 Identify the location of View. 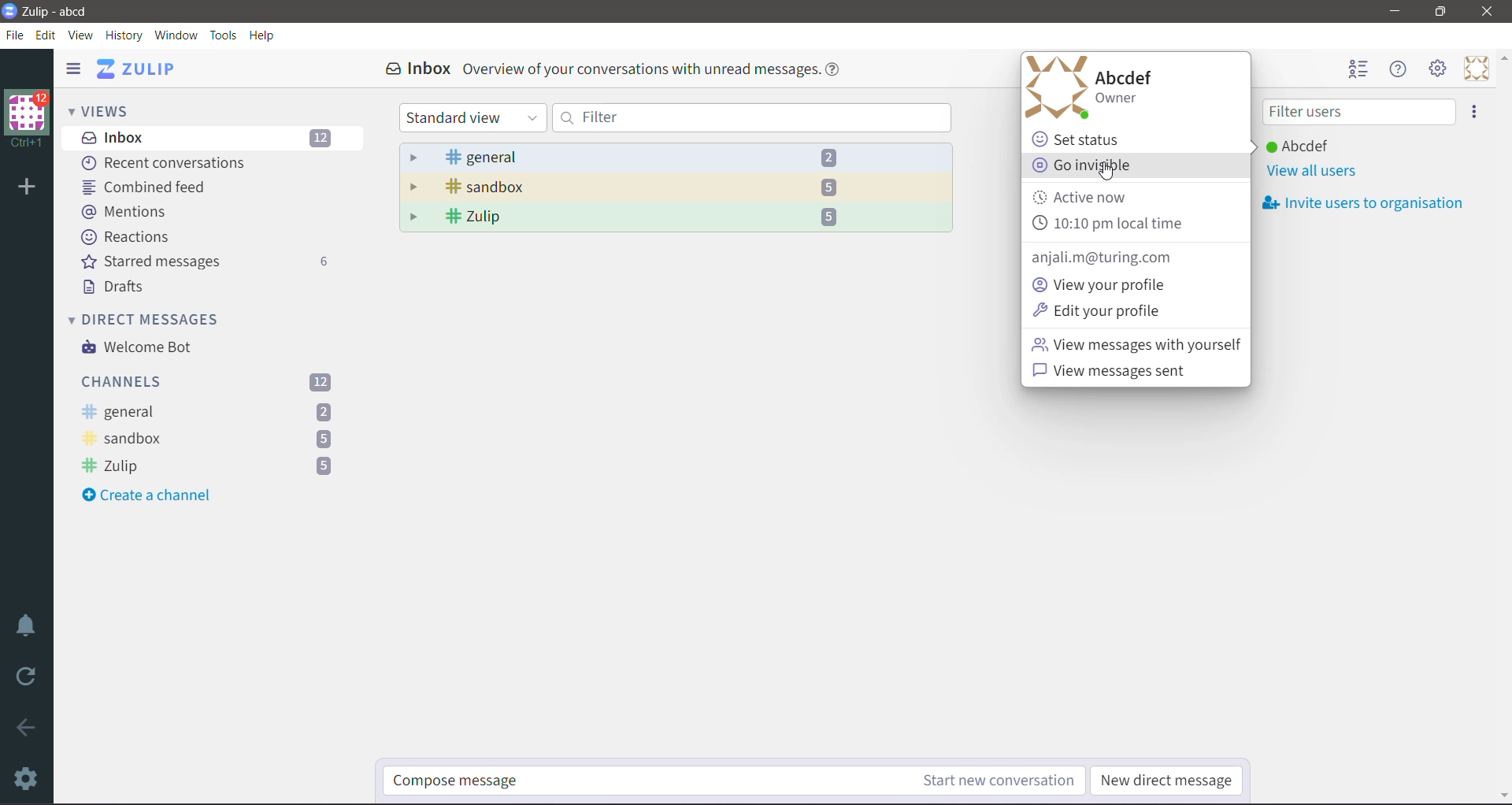
(82, 34).